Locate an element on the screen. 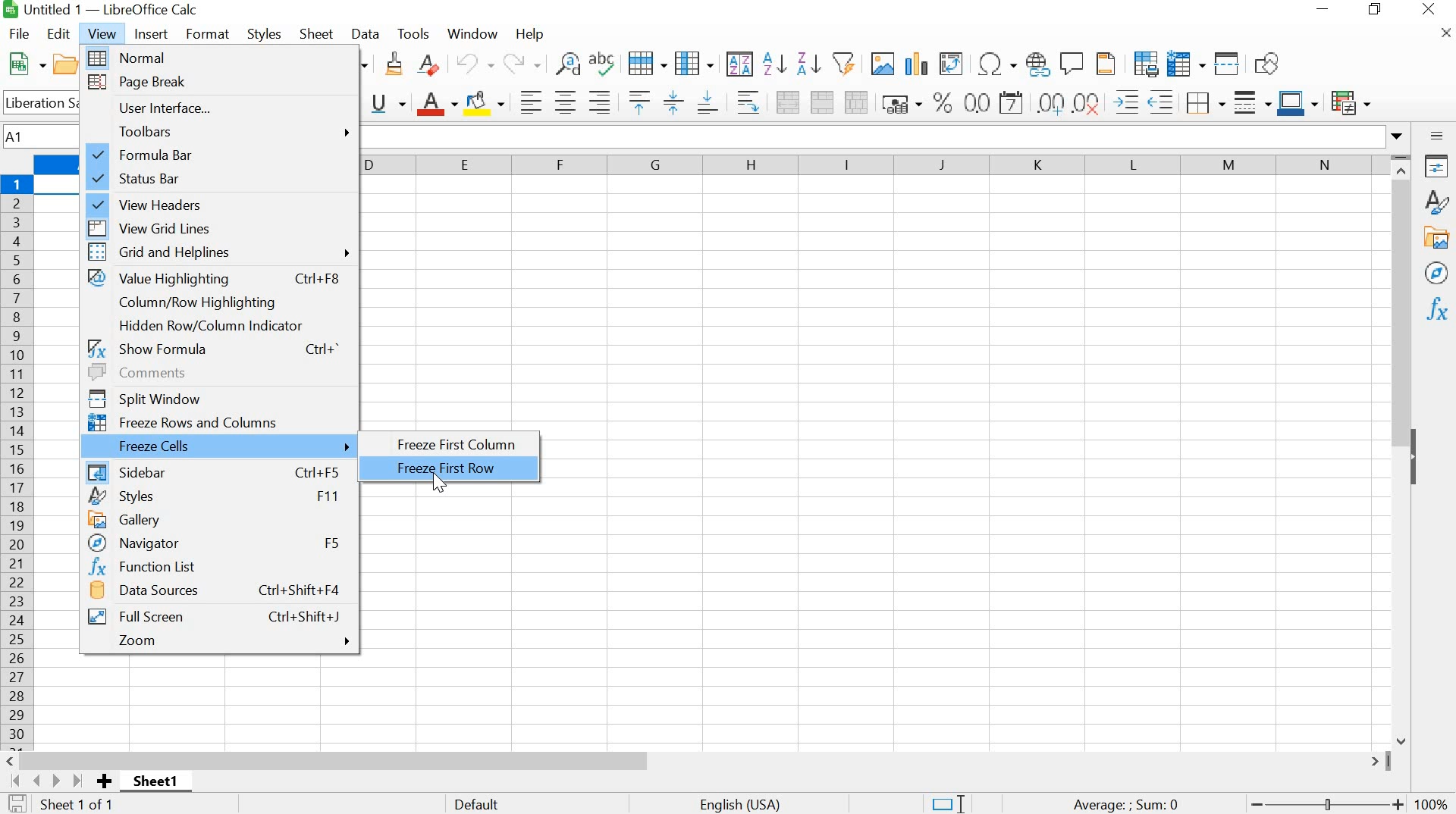  BORDERS is located at coordinates (1203, 104).